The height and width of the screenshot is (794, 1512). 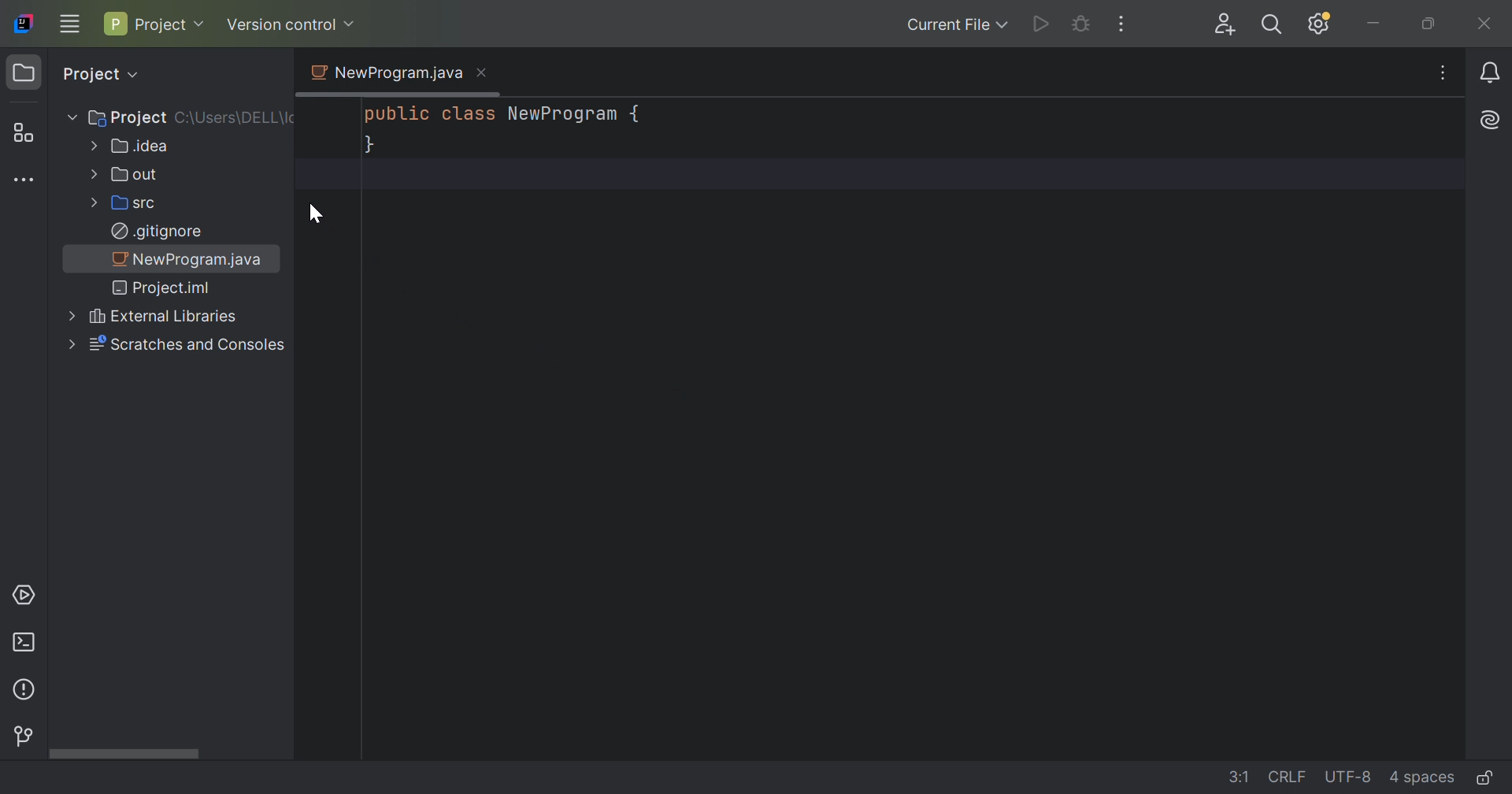 What do you see at coordinates (1321, 25) in the screenshot?
I see `Updates Available. IDE and Project settings` at bounding box center [1321, 25].